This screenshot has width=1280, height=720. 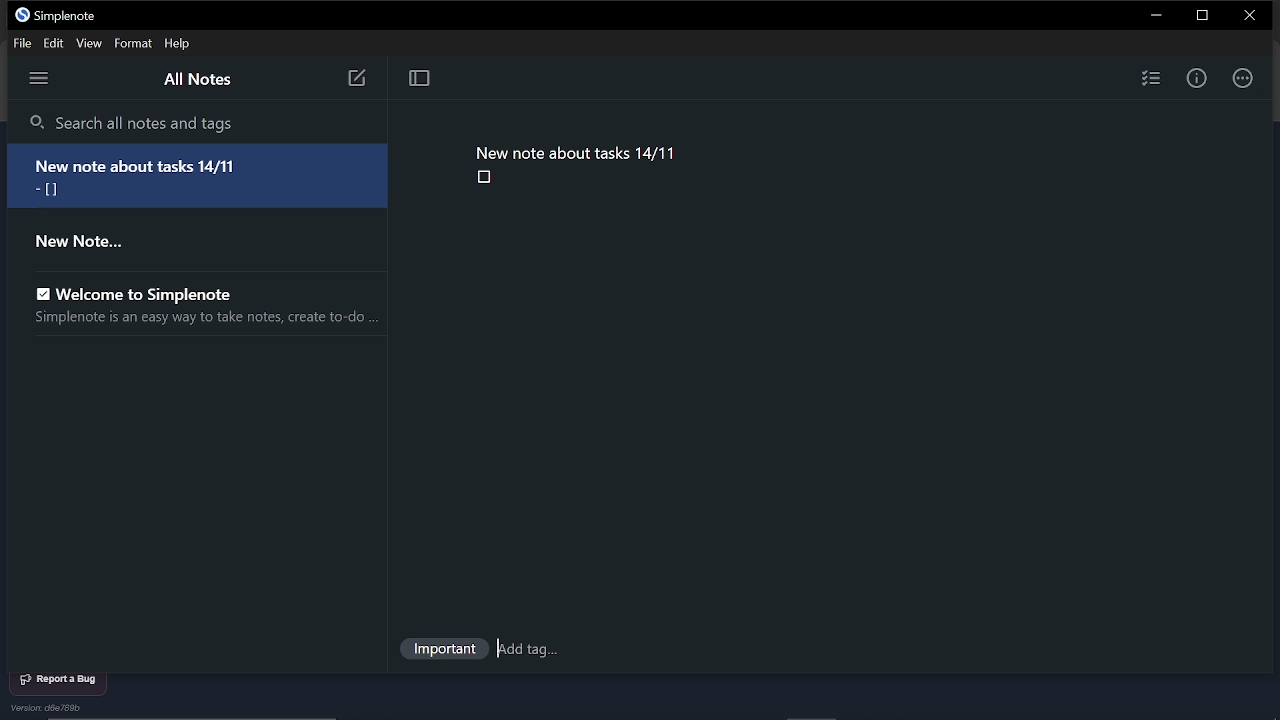 What do you see at coordinates (1247, 15) in the screenshot?
I see `CLose` at bounding box center [1247, 15].